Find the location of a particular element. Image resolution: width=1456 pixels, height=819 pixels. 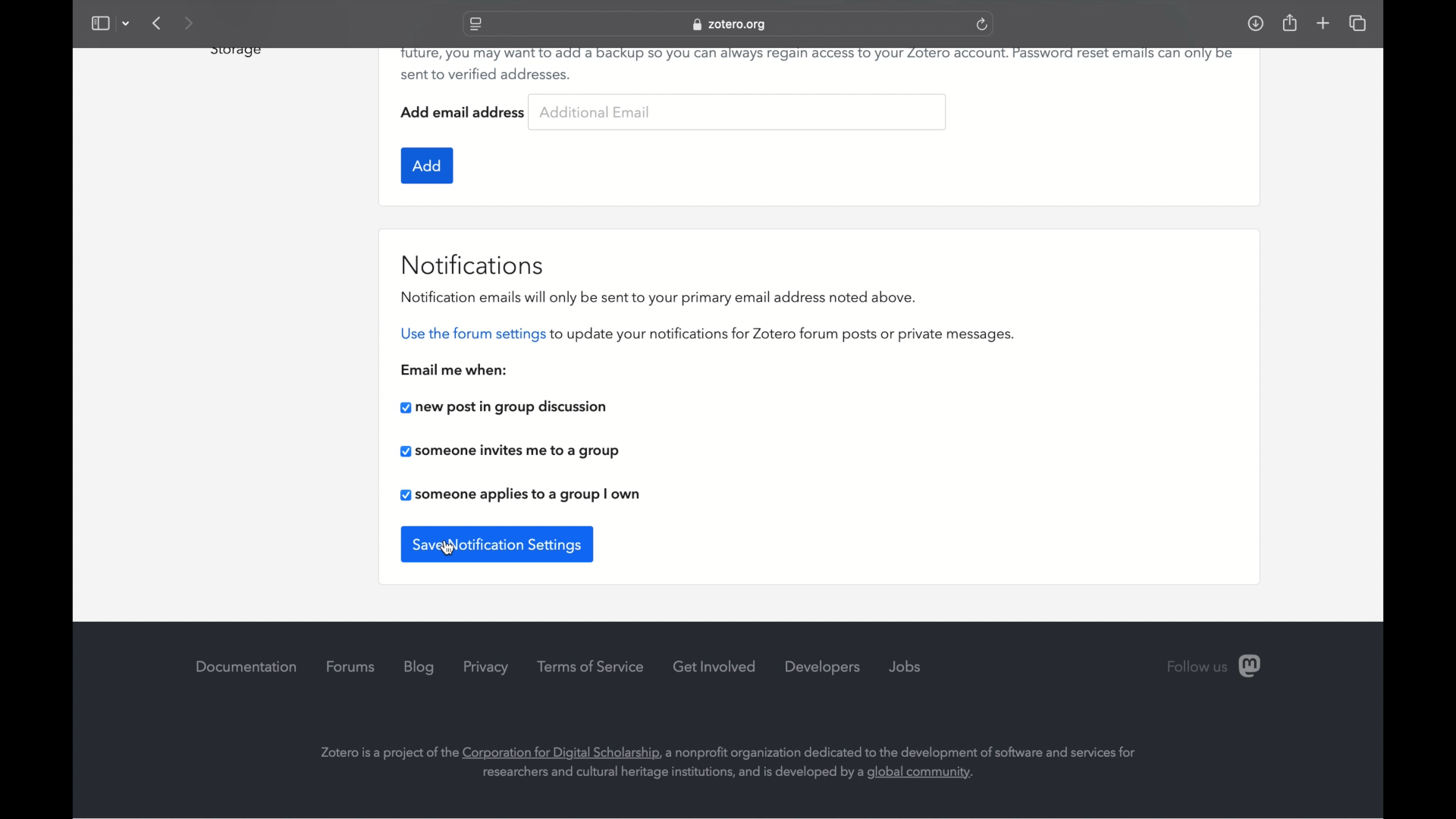

Tuture, you may want to add a backup SO you can always regain access to your ZOtero account. Password reset emails can only be
sent to verified addresses. is located at coordinates (818, 65).